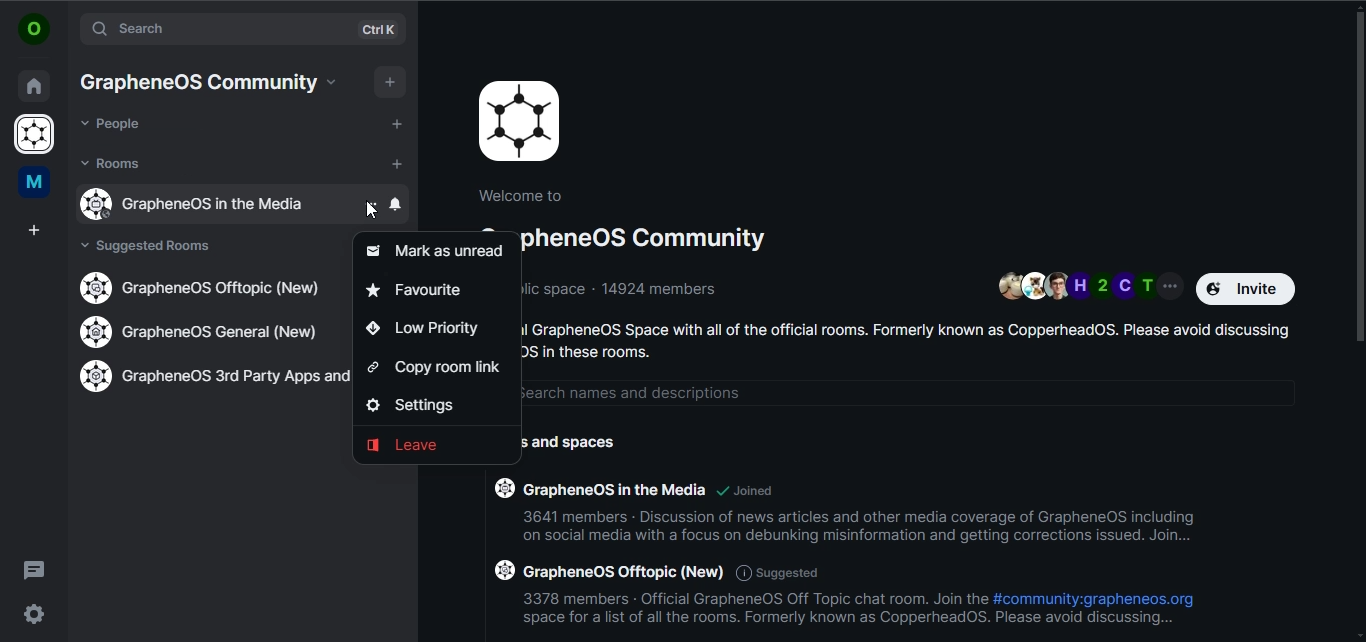 The image size is (1366, 642). I want to click on add , so click(397, 123).